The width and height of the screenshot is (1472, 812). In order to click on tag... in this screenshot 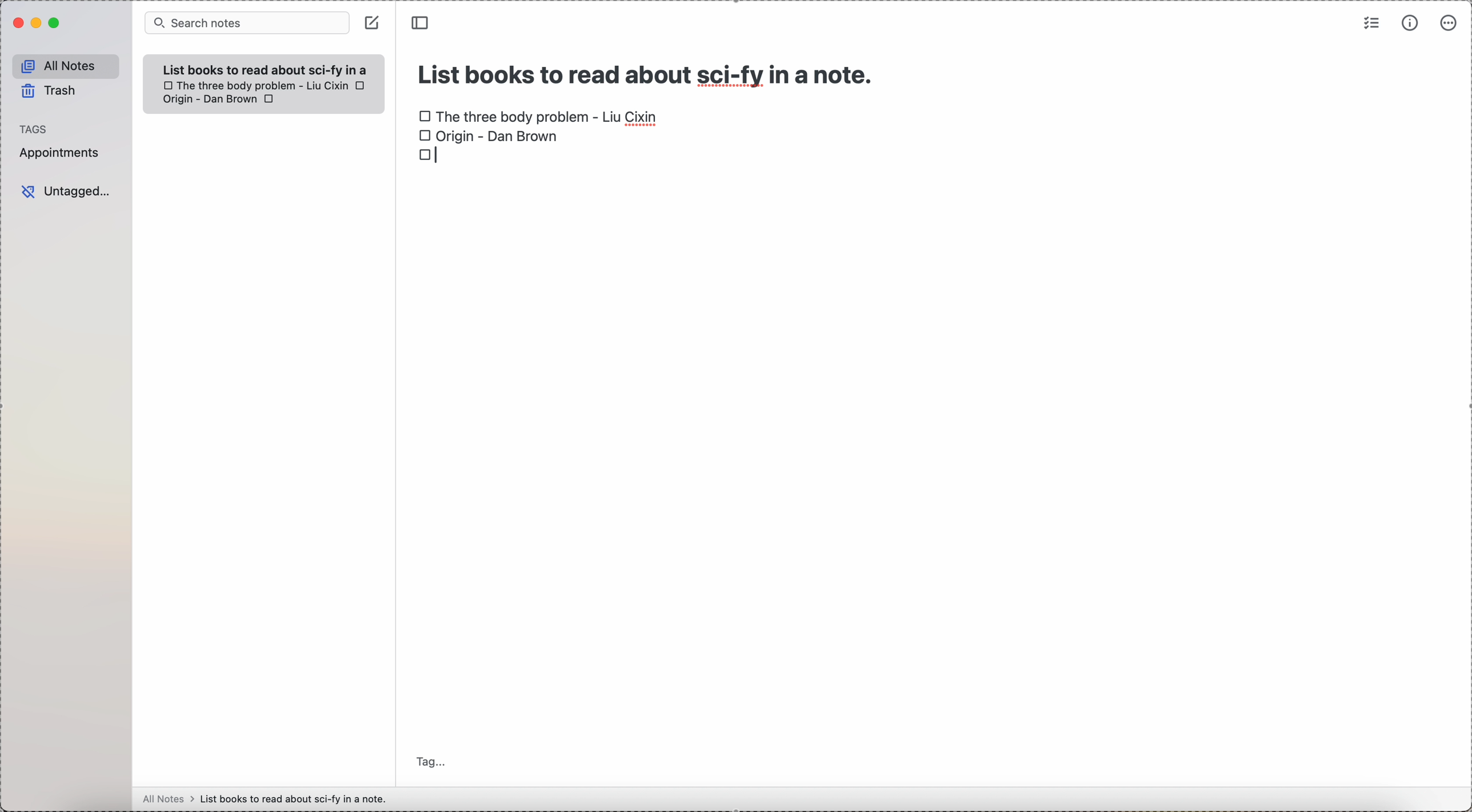, I will do `click(433, 763)`.